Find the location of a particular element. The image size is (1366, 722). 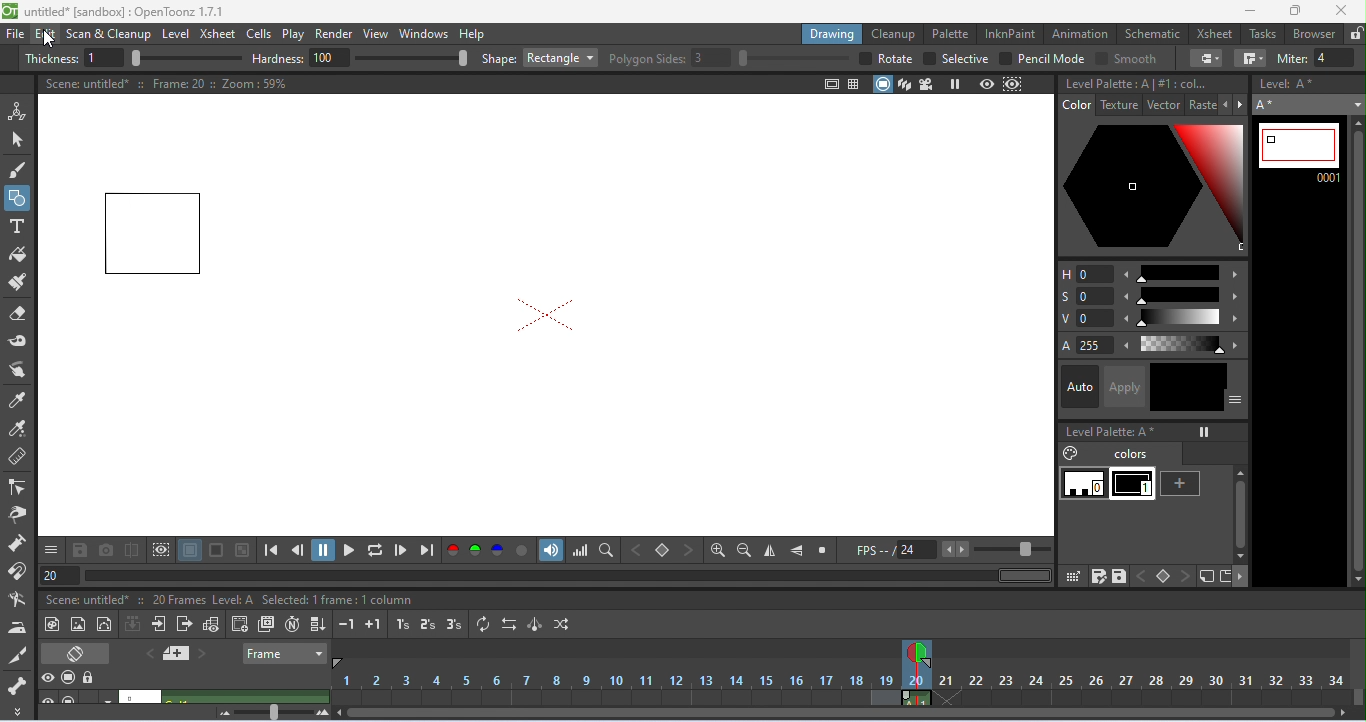

collapse is located at coordinates (135, 623).